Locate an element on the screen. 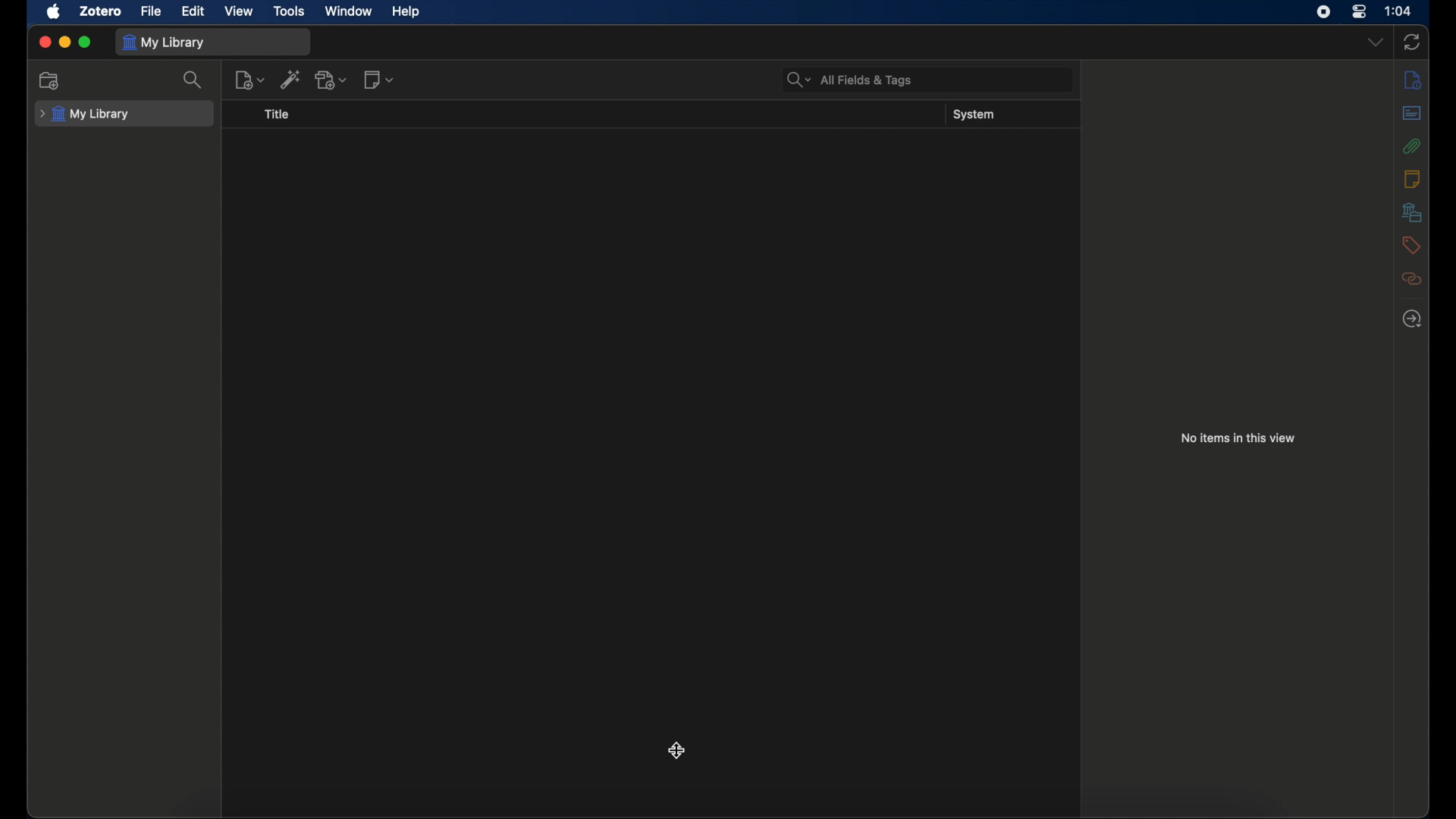  sync is located at coordinates (1412, 42).